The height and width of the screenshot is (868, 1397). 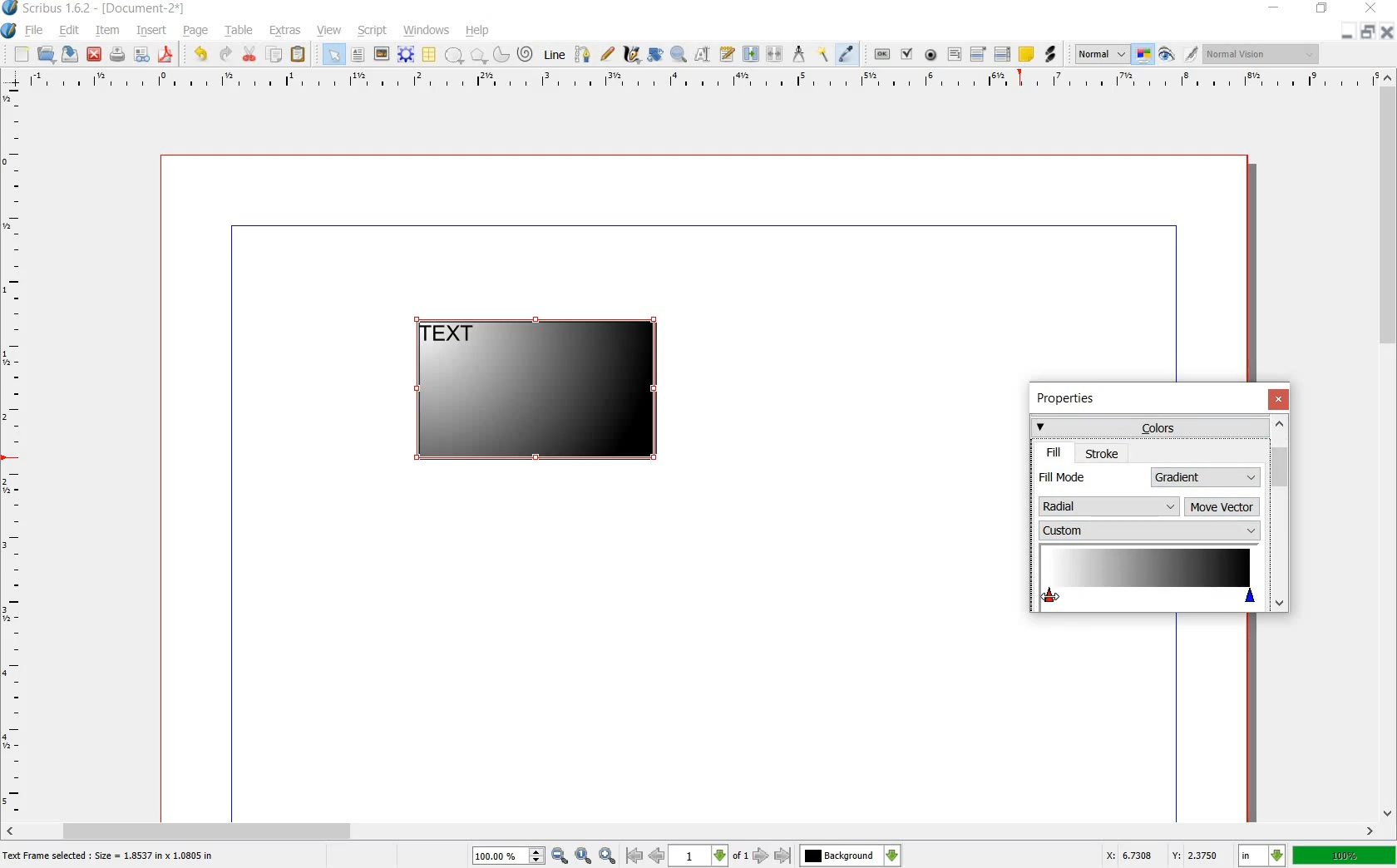 What do you see at coordinates (476, 55) in the screenshot?
I see `polygon` at bounding box center [476, 55].